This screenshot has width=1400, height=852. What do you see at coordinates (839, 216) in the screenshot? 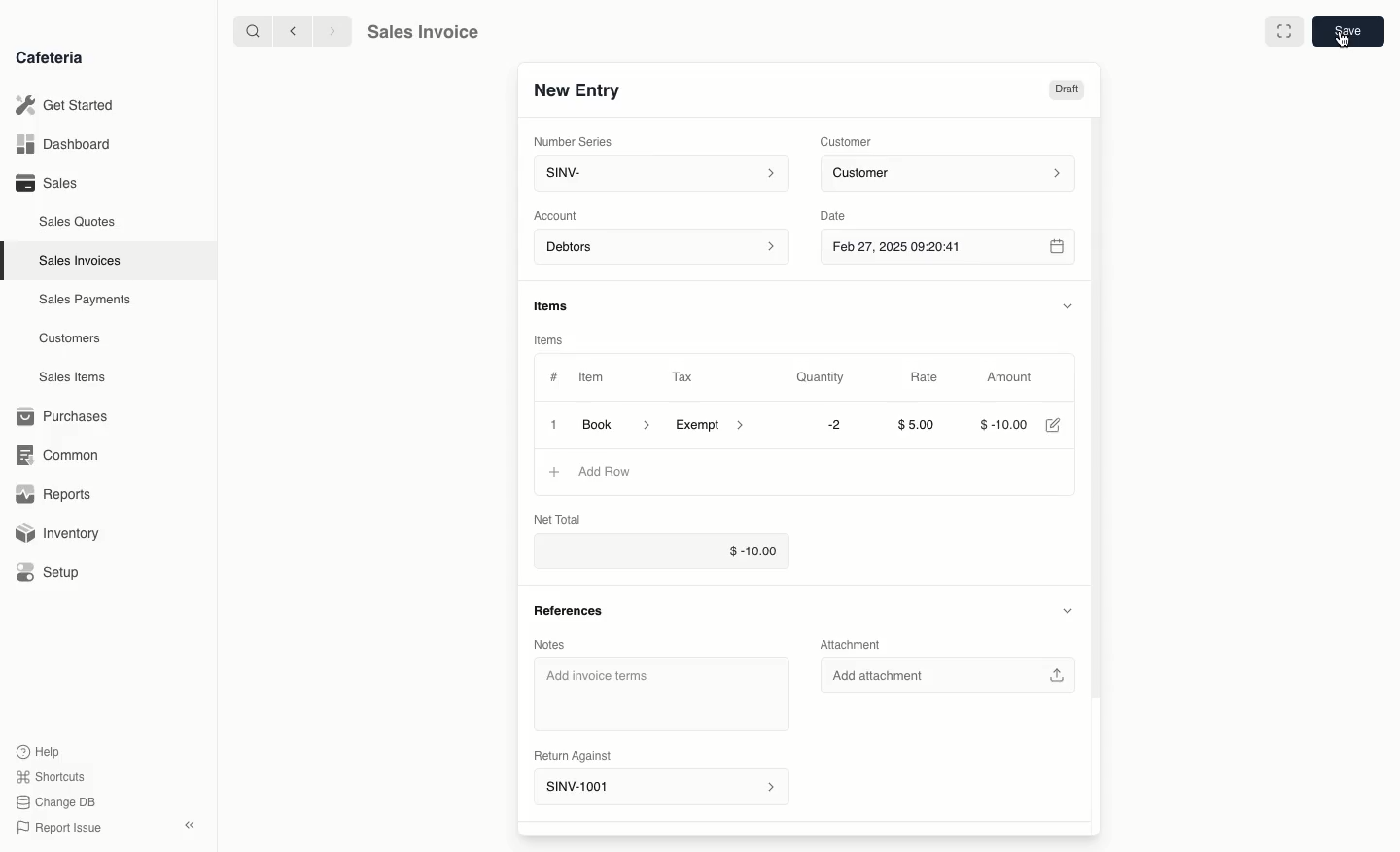
I see `Date` at bounding box center [839, 216].